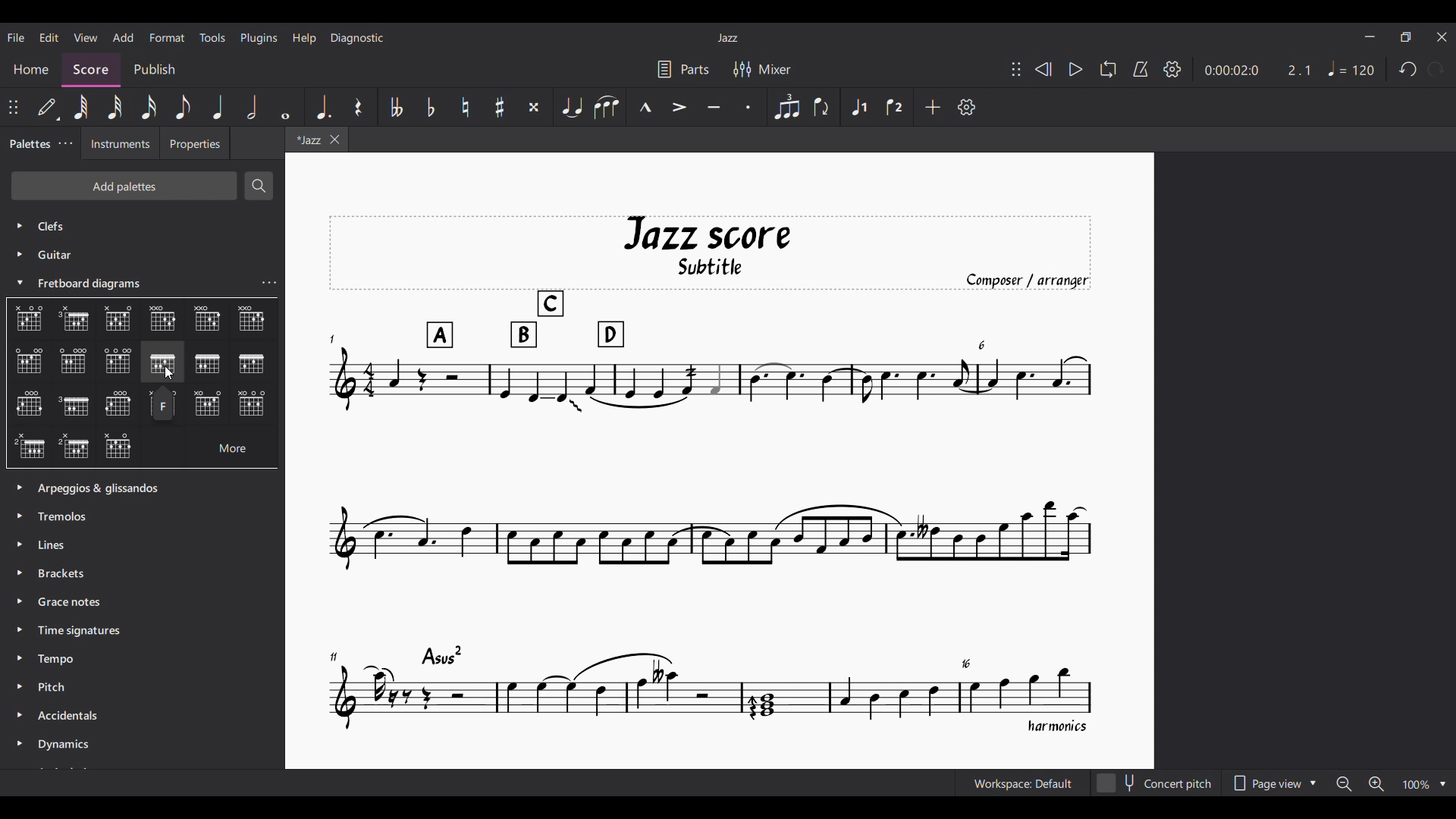  Describe the element at coordinates (259, 186) in the screenshot. I see `Search` at that location.